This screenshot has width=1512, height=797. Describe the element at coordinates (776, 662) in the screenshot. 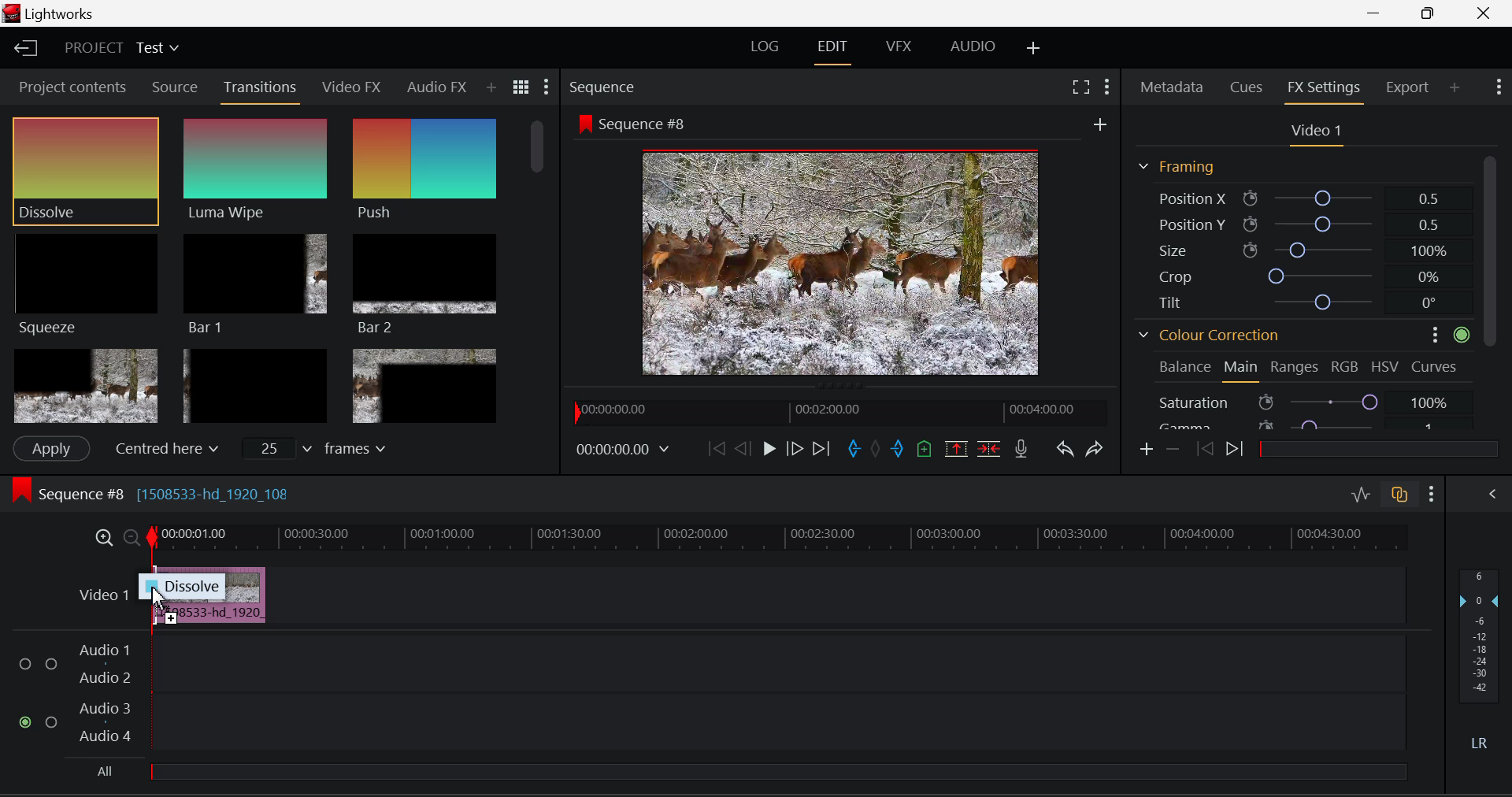

I see `Audio Input Field` at that location.